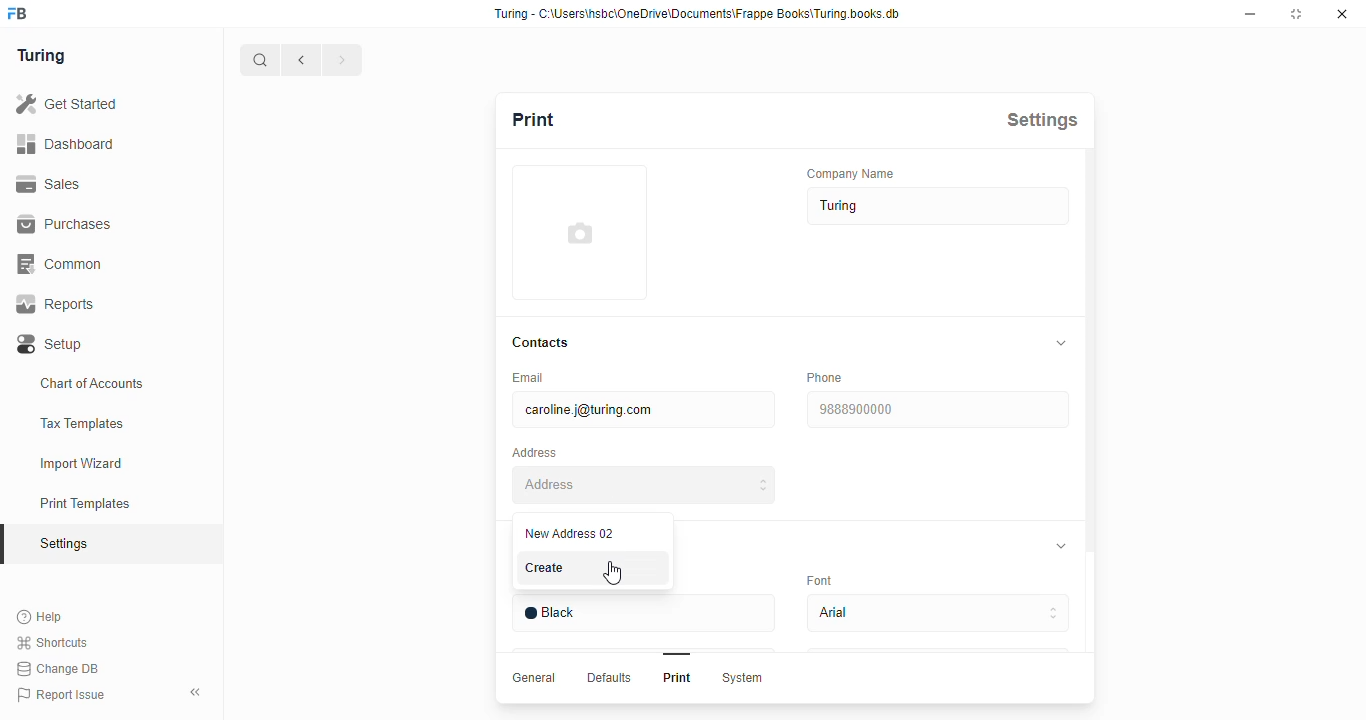 The image size is (1366, 720). Describe the element at coordinates (260, 60) in the screenshot. I see `search` at that location.